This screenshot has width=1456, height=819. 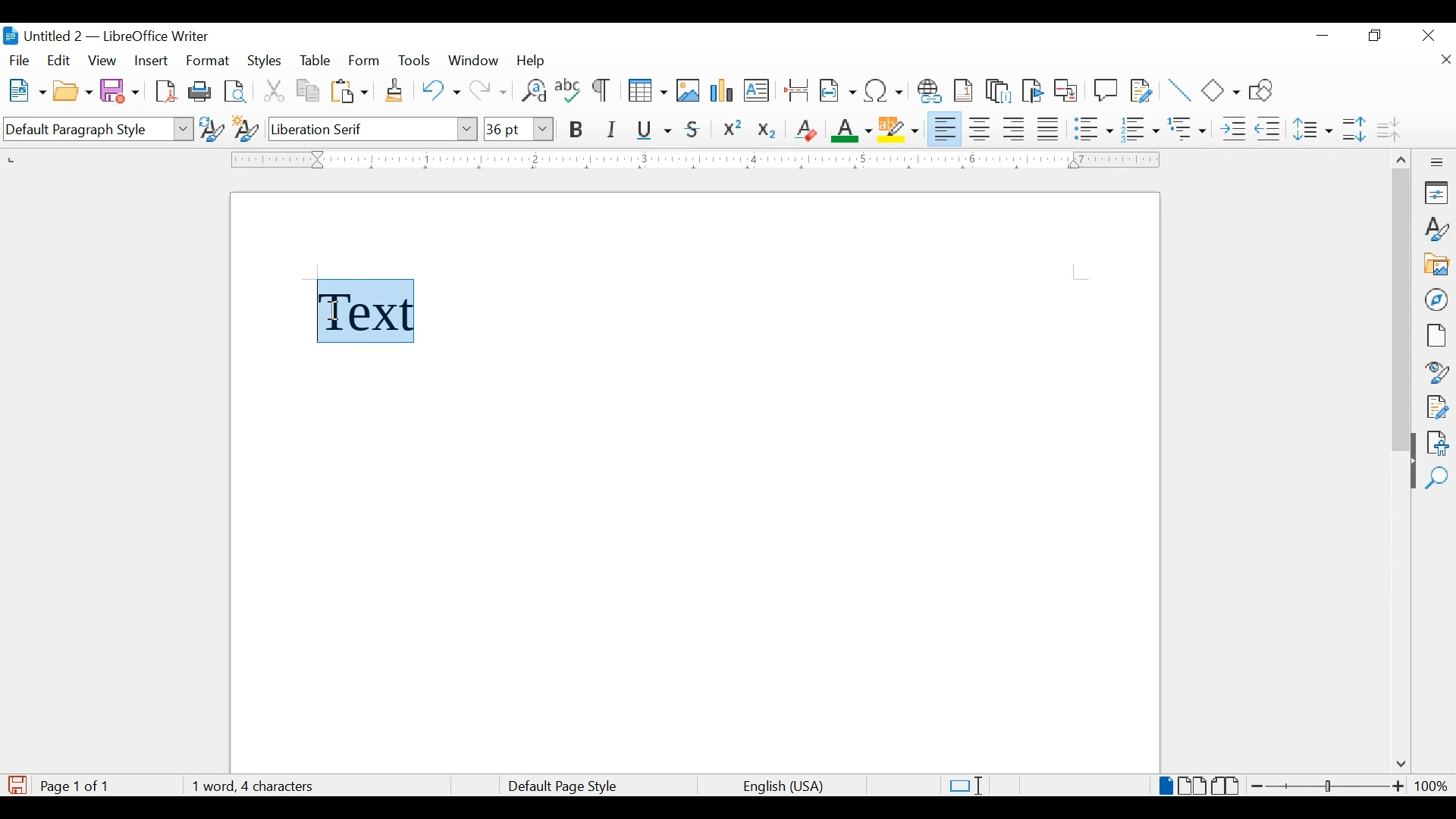 I want to click on save , so click(x=121, y=90).